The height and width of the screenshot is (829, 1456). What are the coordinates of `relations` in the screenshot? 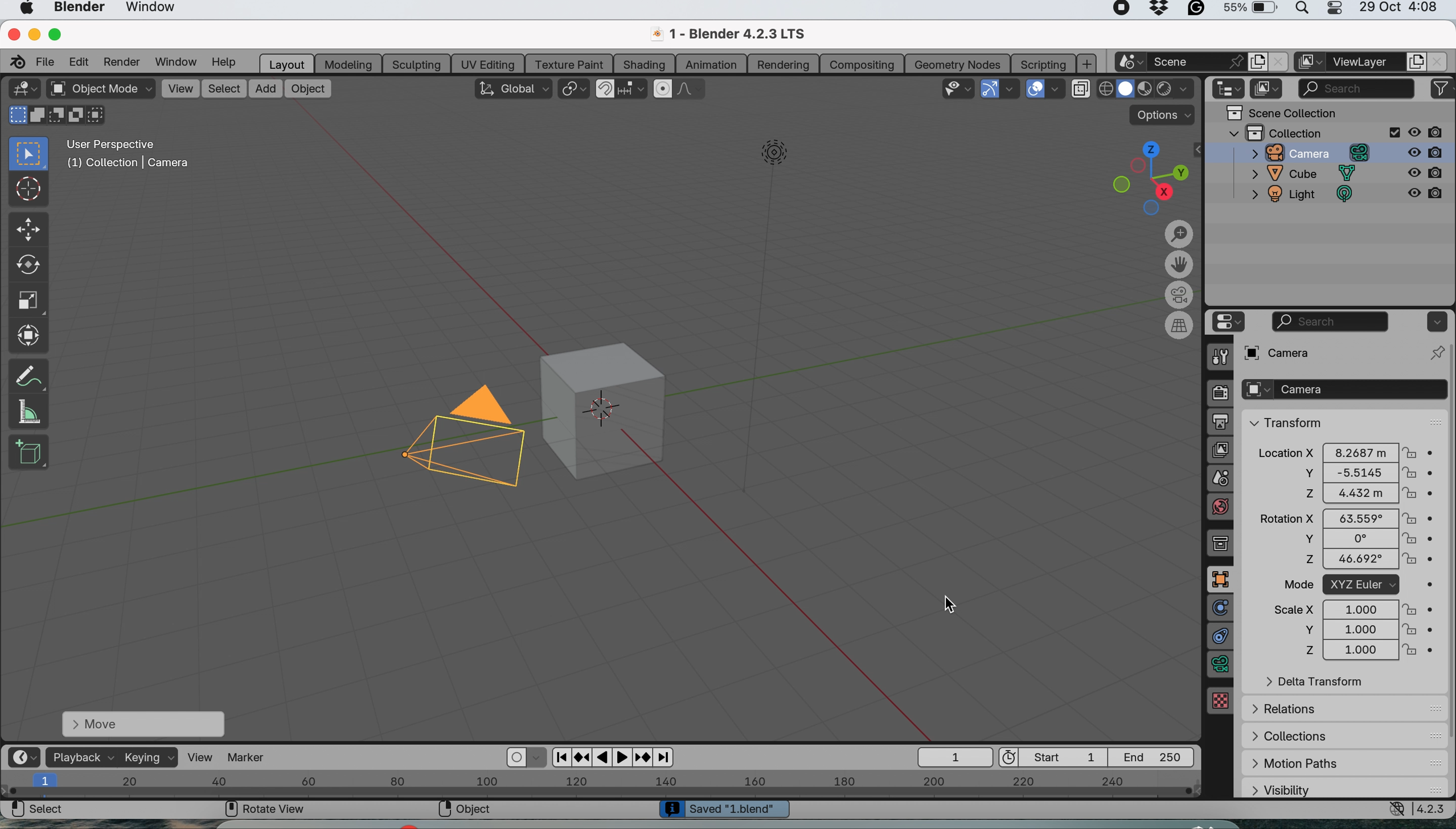 It's located at (1306, 707).